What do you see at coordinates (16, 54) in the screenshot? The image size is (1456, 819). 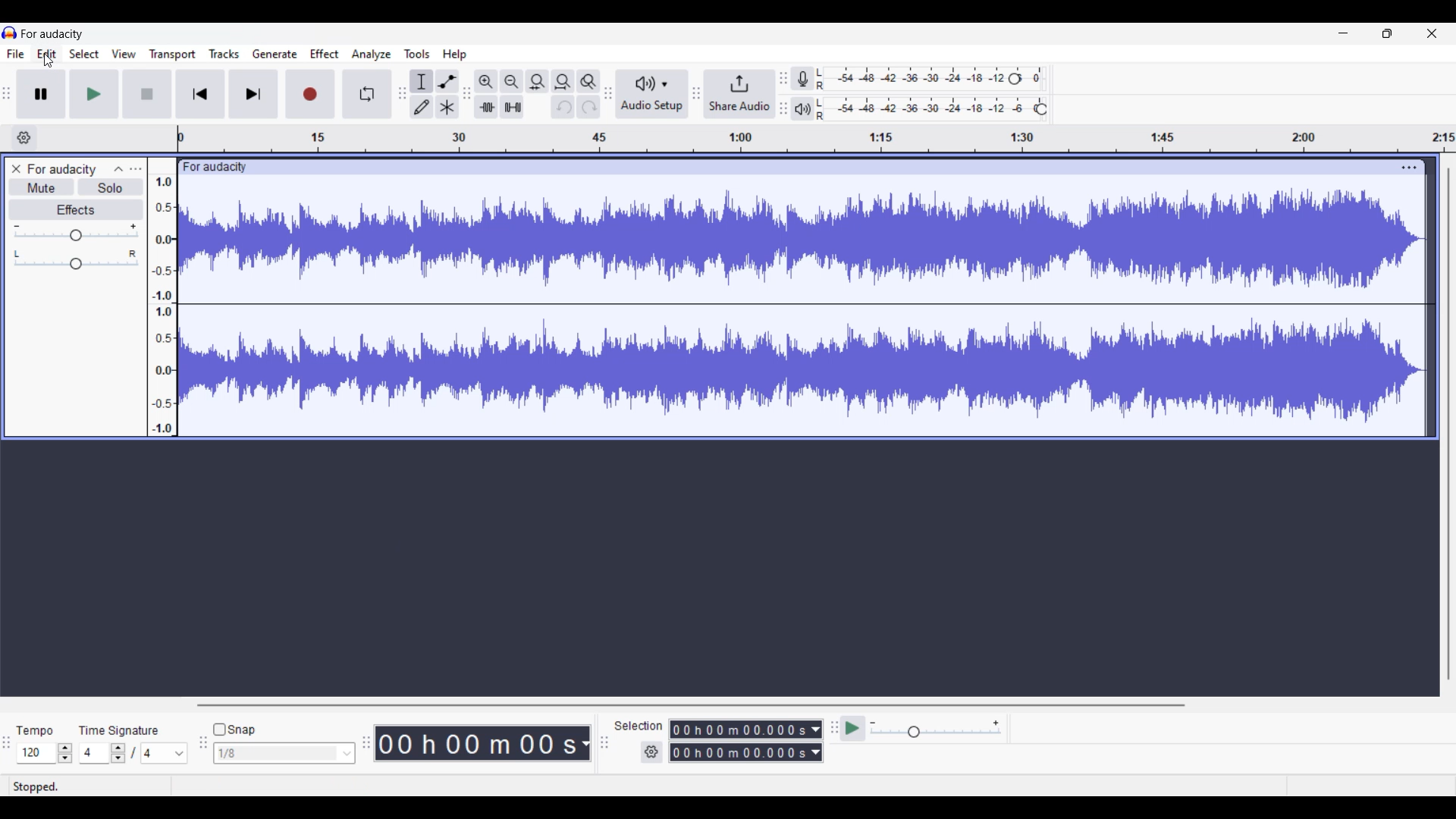 I see `File menu` at bounding box center [16, 54].